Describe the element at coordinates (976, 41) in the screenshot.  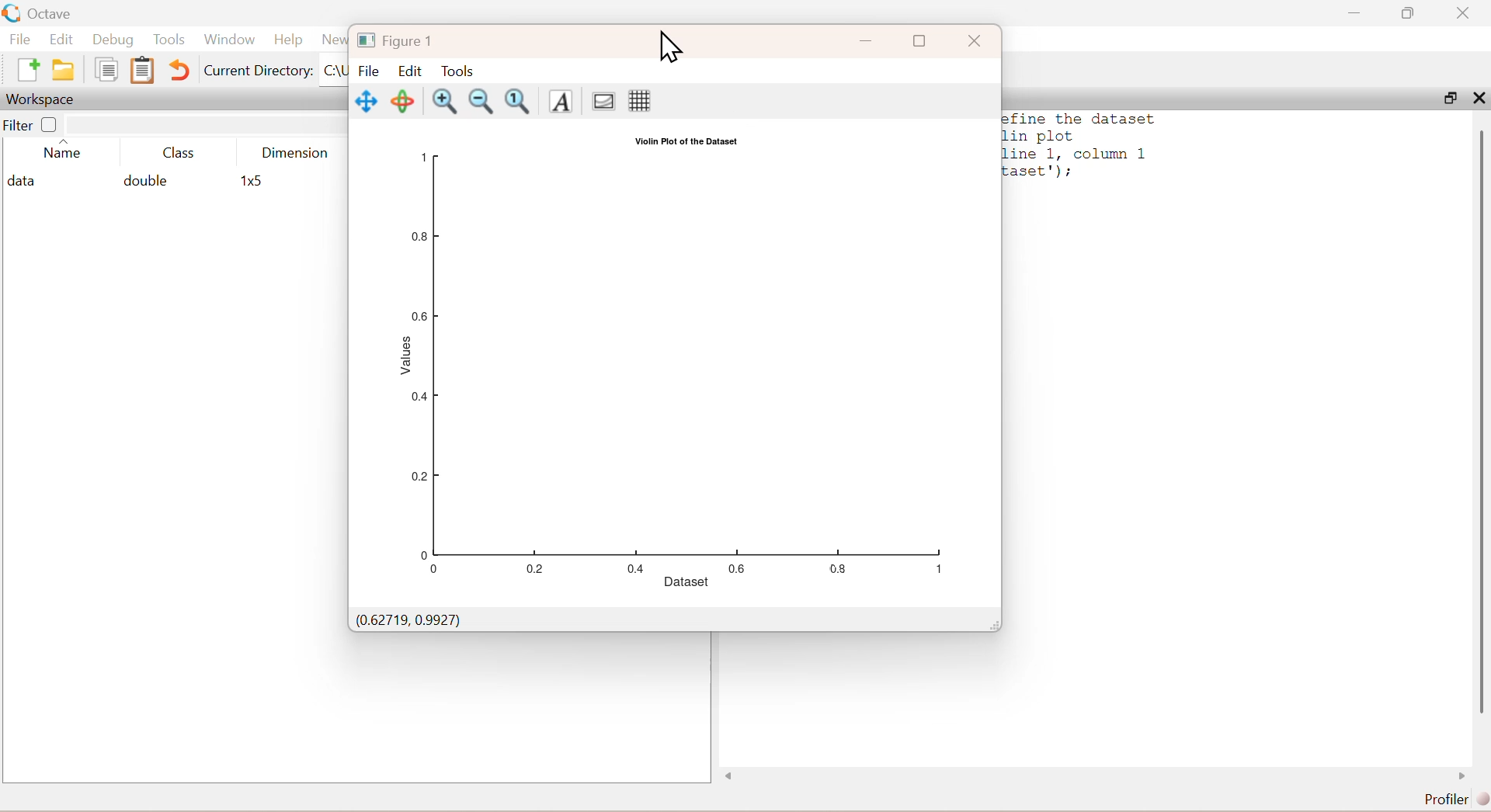
I see `Close ` at that location.